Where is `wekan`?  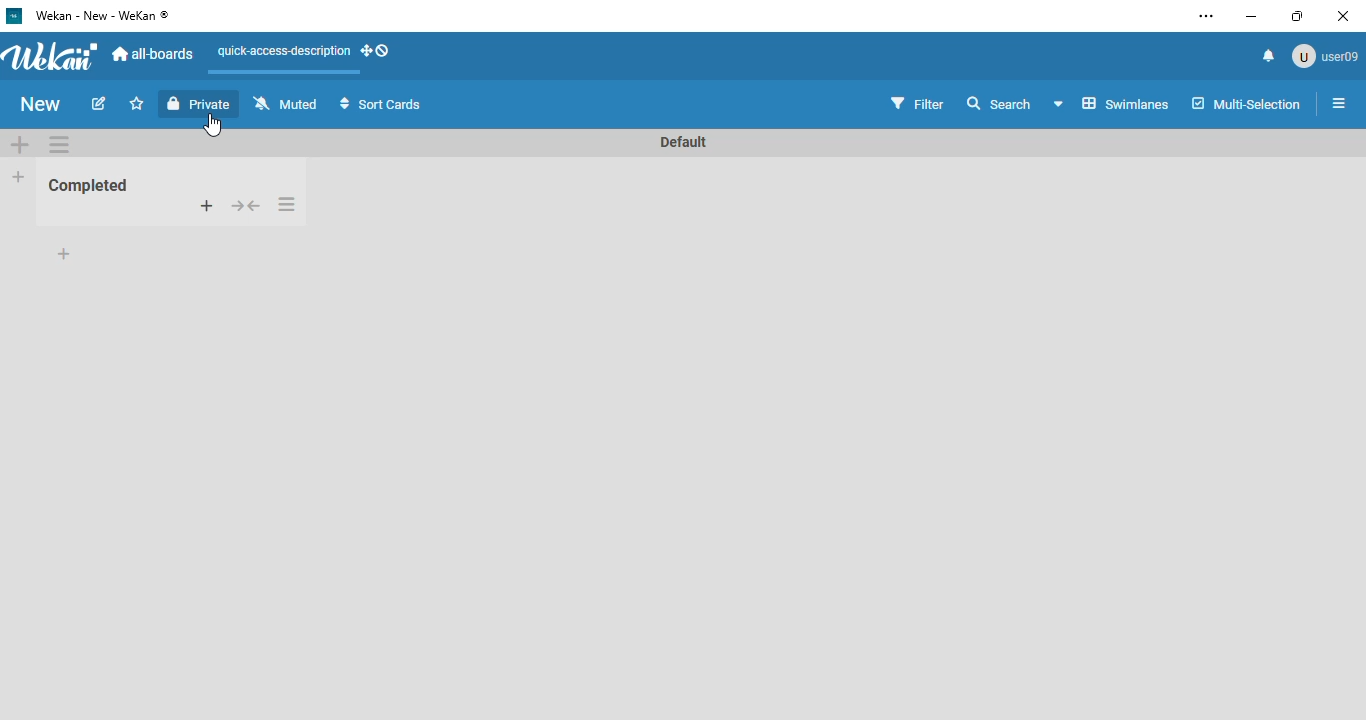
wekan is located at coordinates (53, 56).